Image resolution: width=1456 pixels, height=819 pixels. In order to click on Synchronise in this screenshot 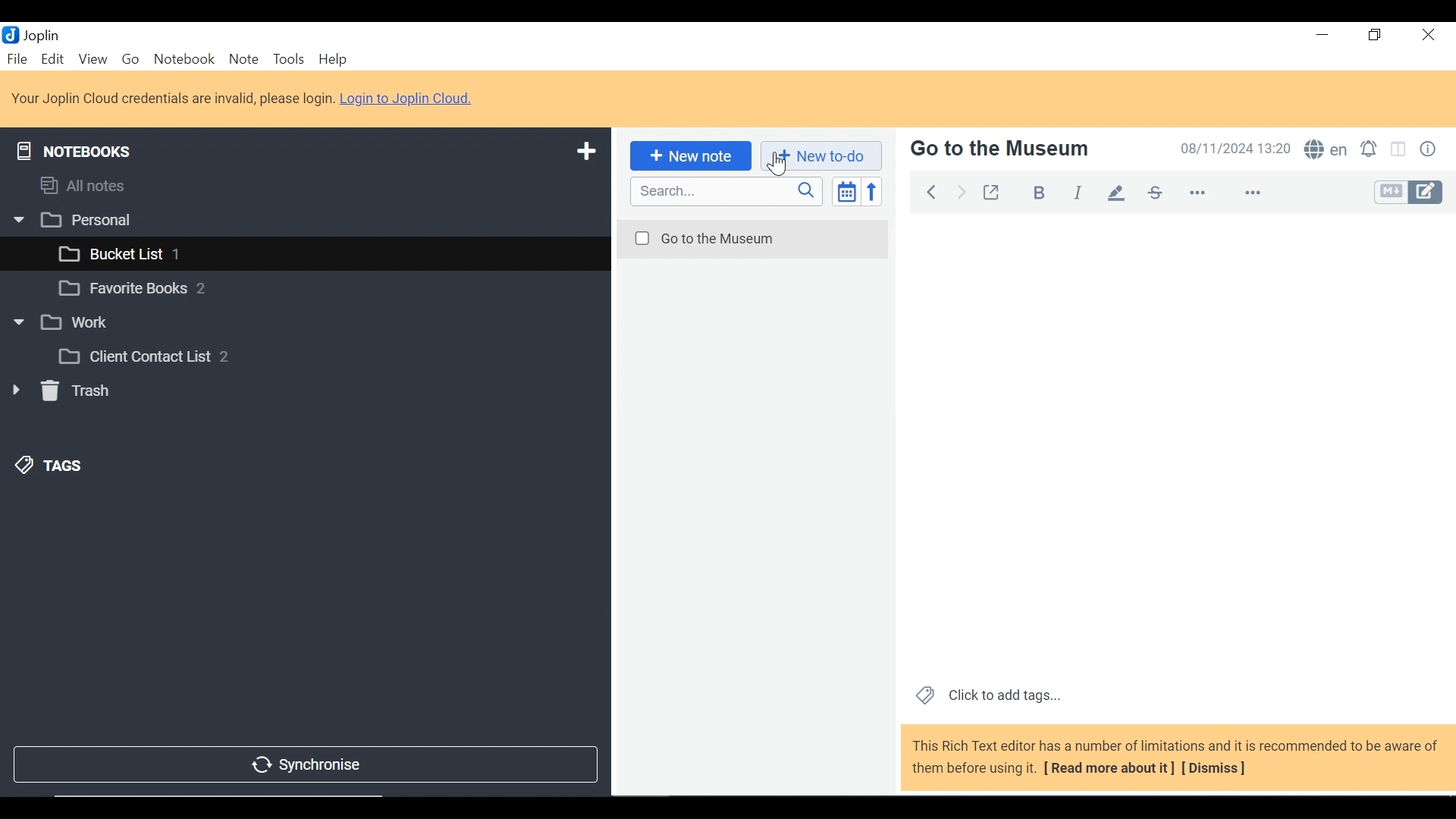, I will do `click(303, 766)`.